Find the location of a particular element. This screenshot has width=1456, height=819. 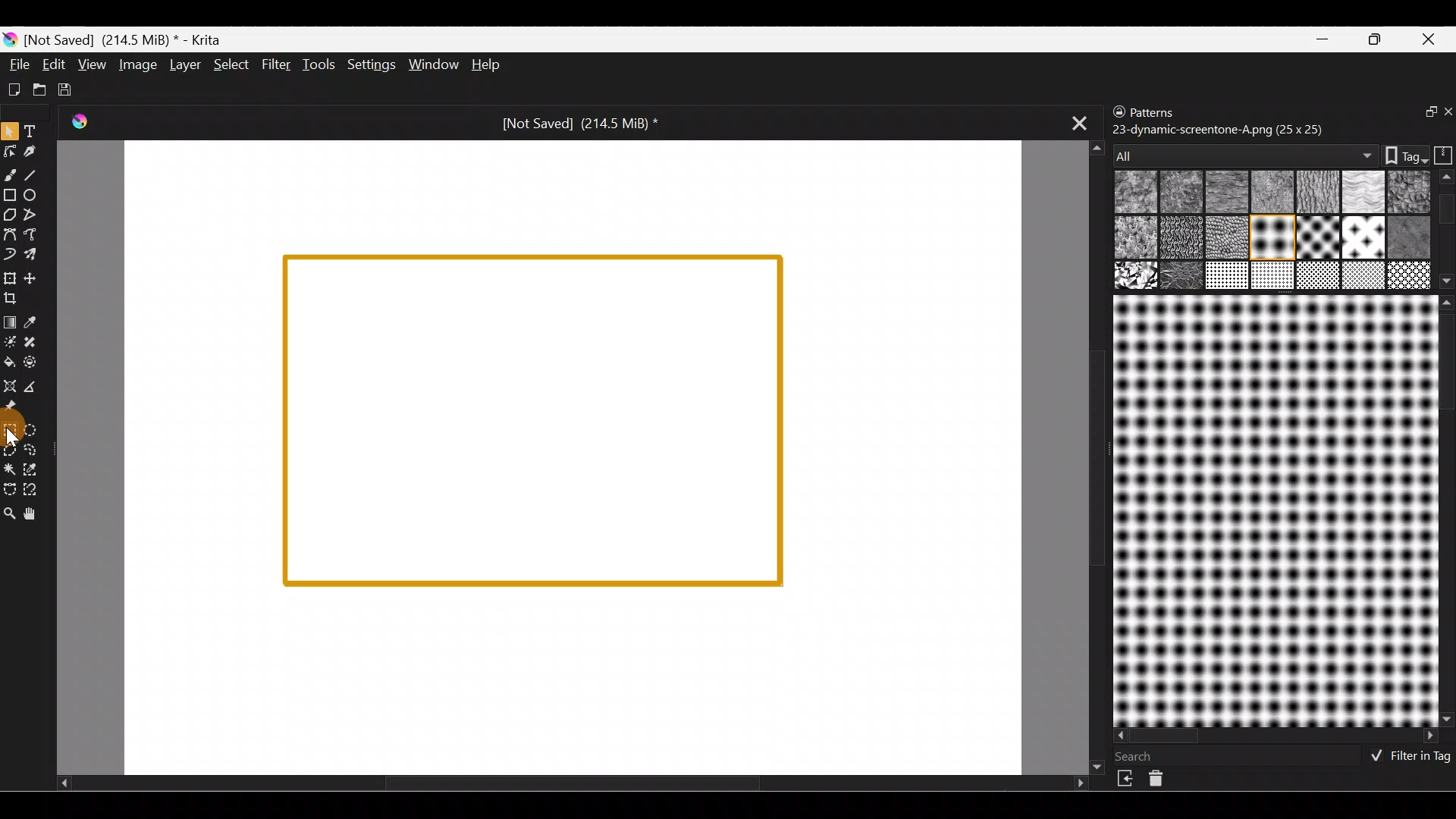

08 Bump-relief.png is located at coordinates (1139, 239).